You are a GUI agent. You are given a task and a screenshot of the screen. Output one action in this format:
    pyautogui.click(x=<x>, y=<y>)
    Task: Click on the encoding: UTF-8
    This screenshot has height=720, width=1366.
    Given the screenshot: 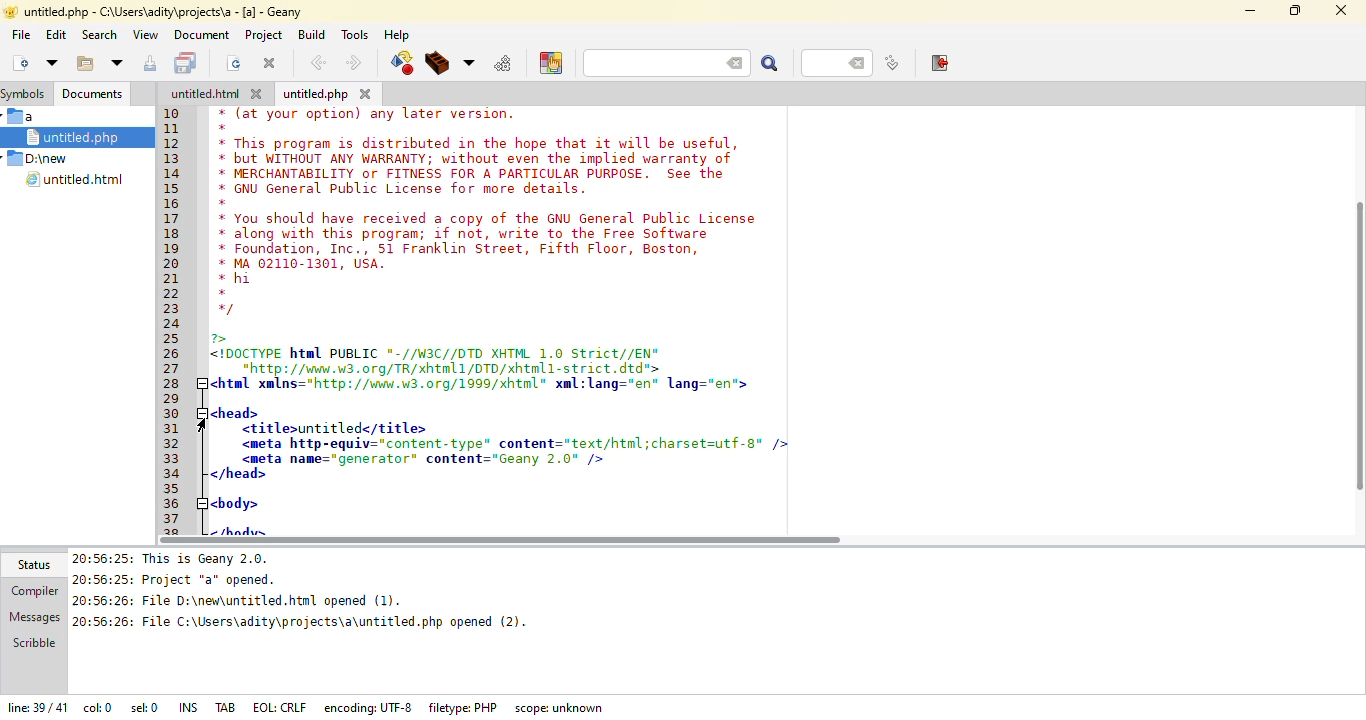 What is the action you would take?
    pyautogui.click(x=364, y=708)
    